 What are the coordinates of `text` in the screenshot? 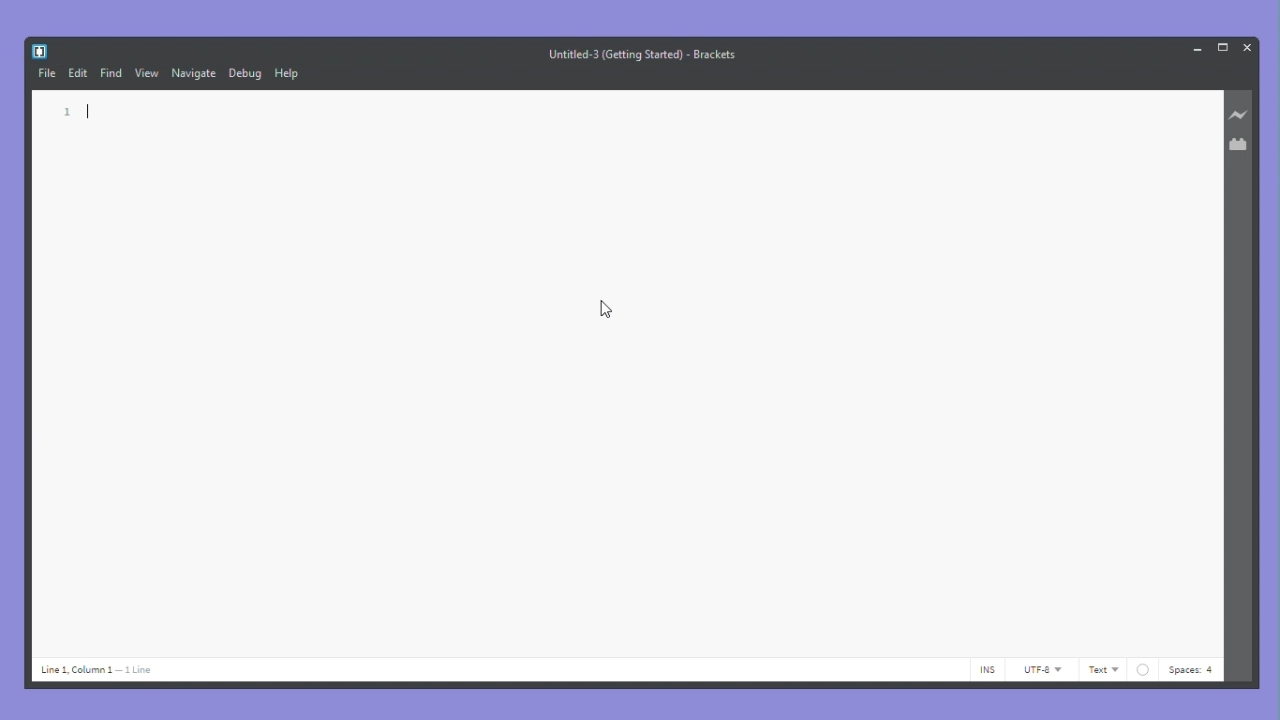 It's located at (1103, 670).